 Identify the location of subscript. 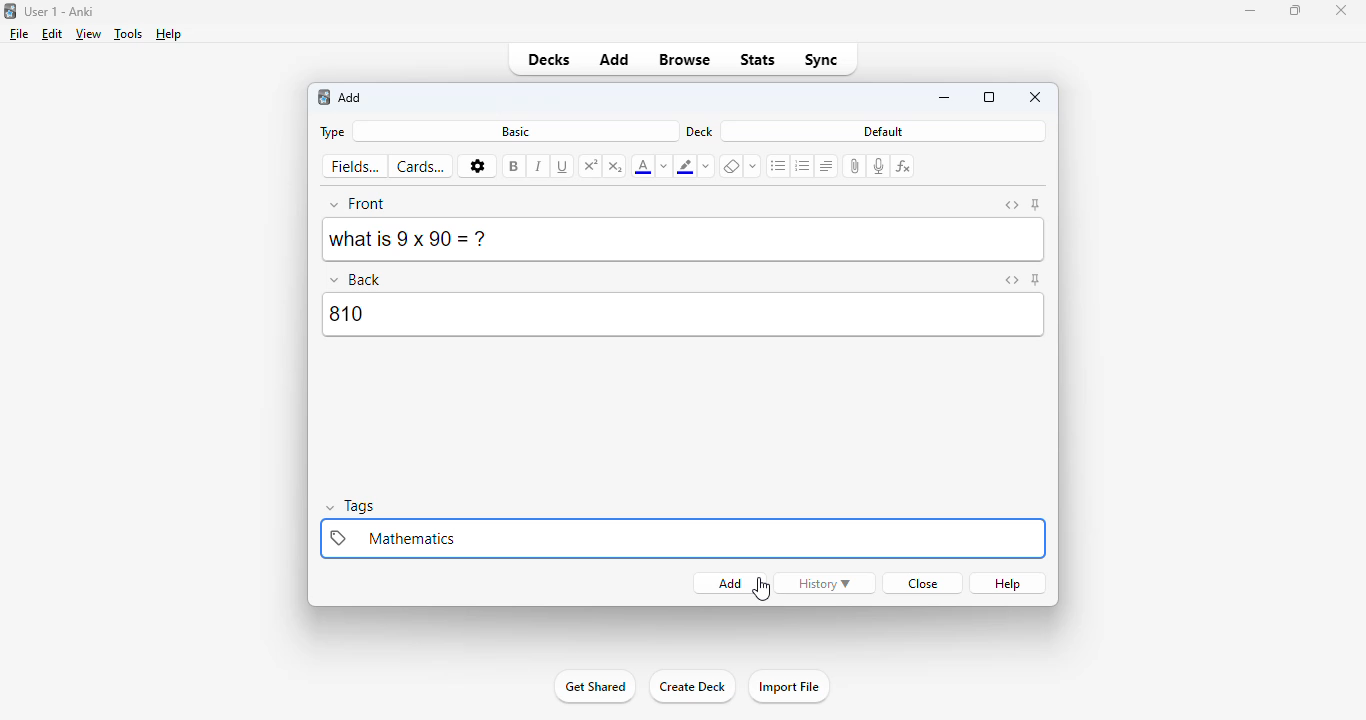
(616, 166).